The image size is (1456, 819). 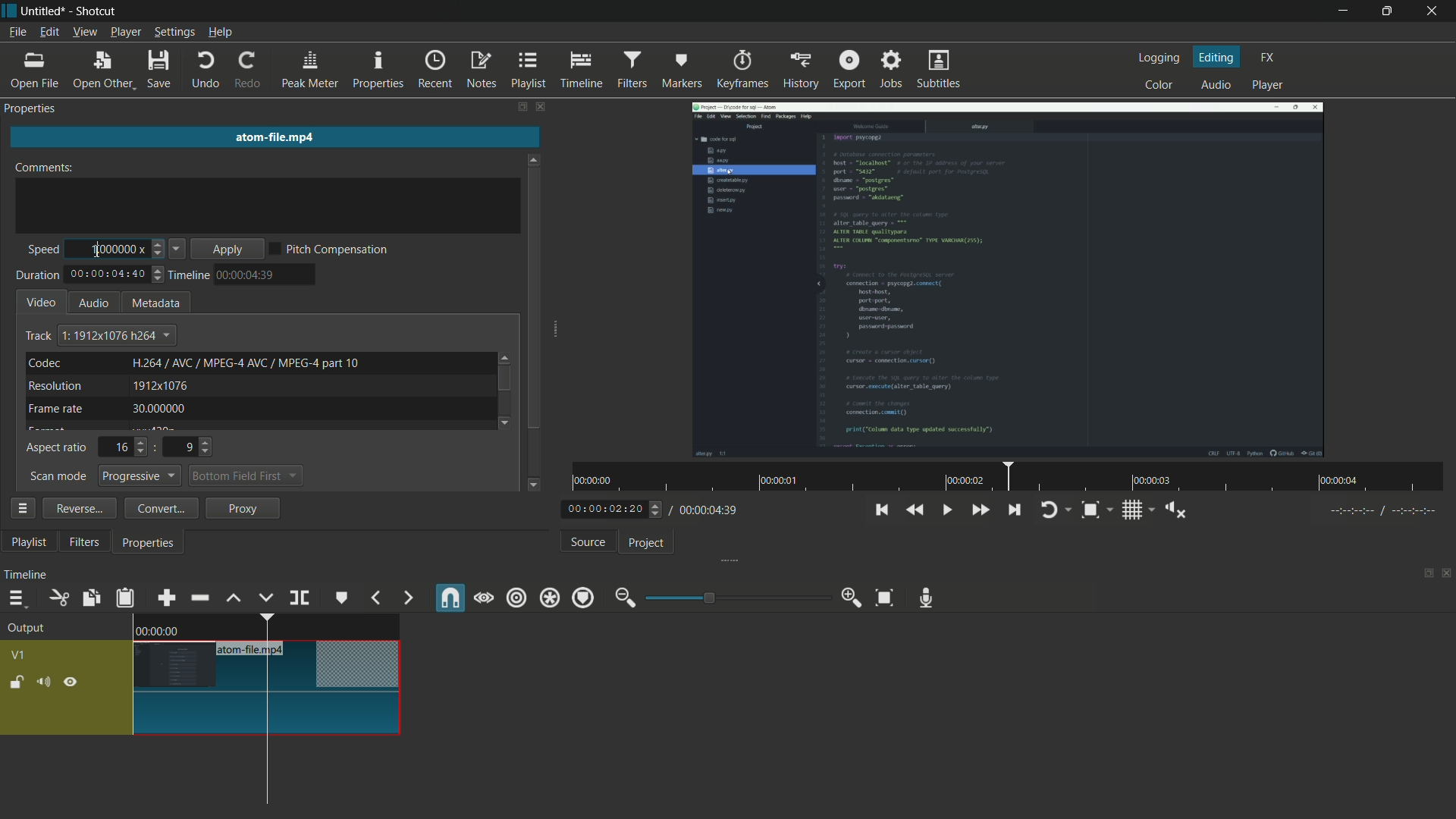 I want to click on change layout, so click(x=521, y=108).